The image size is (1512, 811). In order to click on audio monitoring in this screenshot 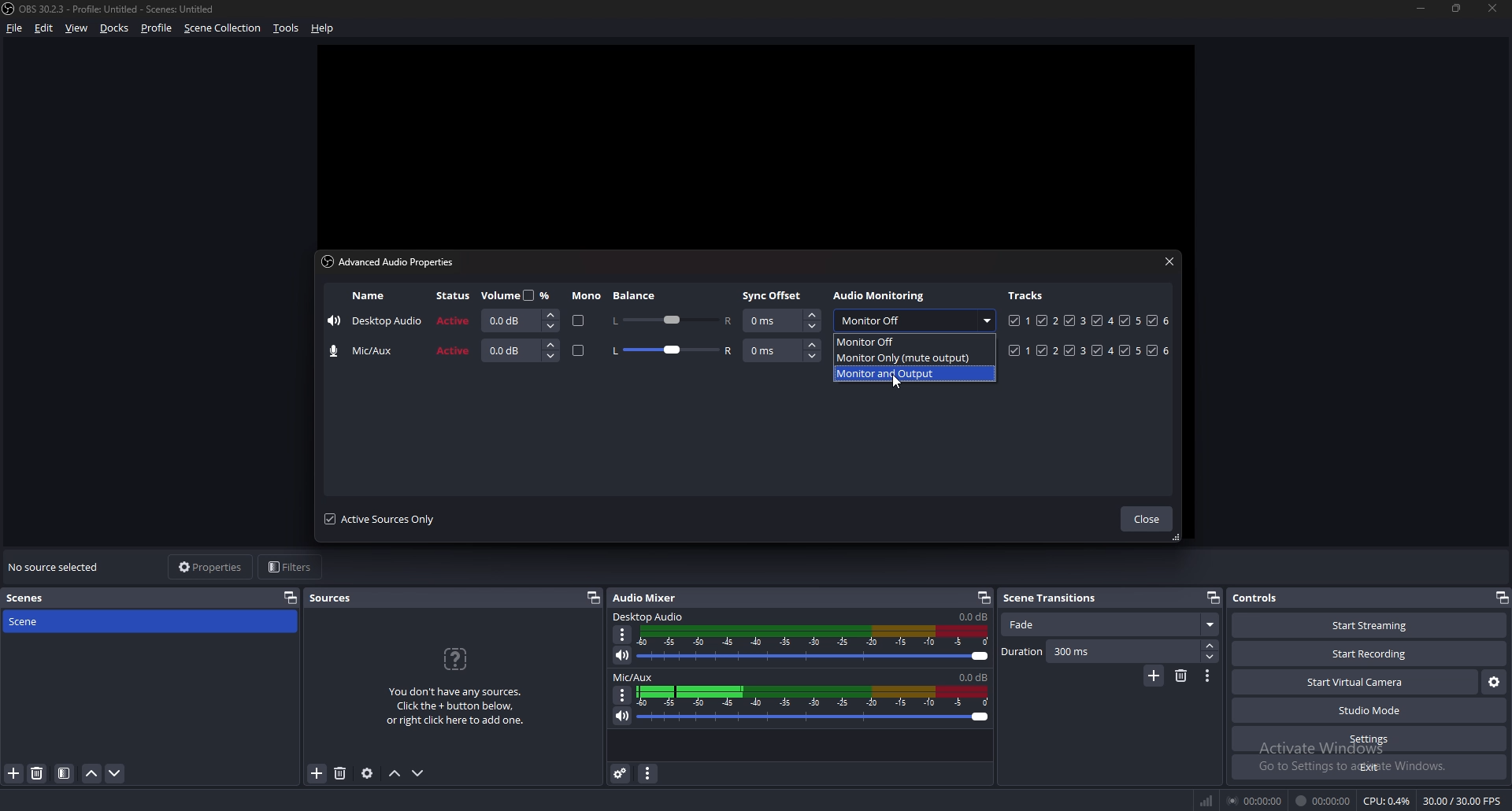, I will do `click(882, 297)`.